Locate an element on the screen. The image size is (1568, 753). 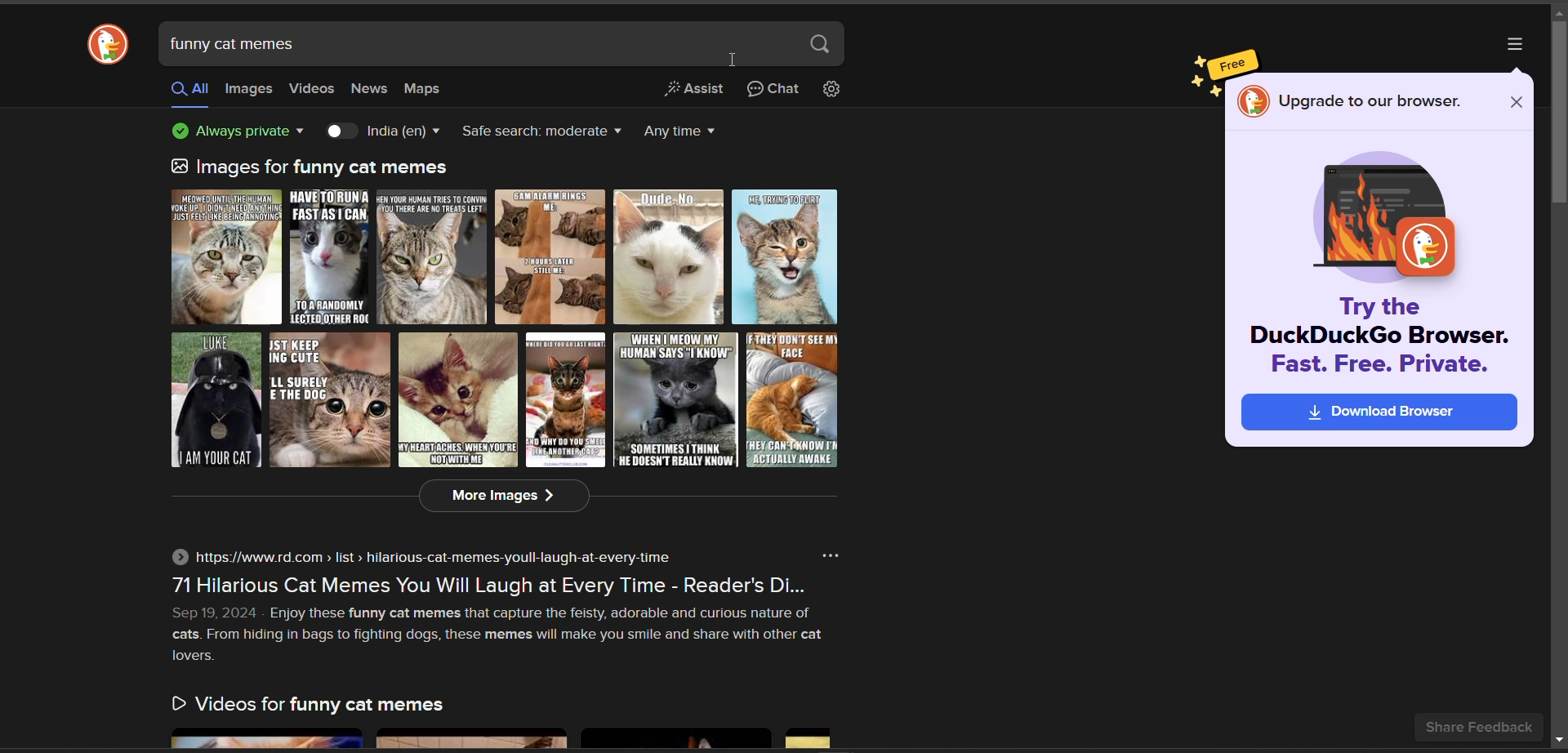
Try the
DuckDuckGo Browser.
Fast. Free. Private. is located at coordinates (1375, 340).